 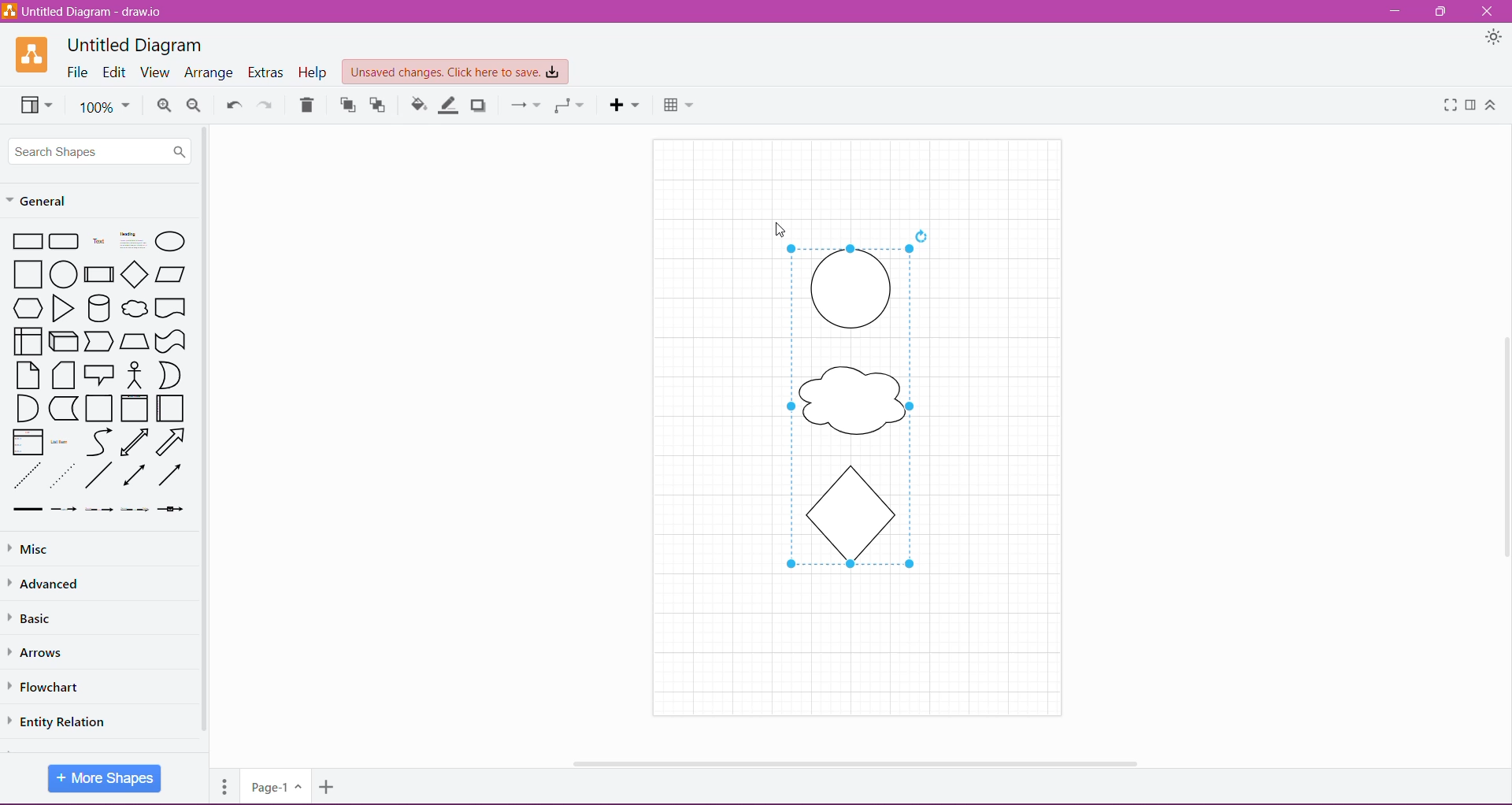 I want to click on To Back, so click(x=380, y=105).